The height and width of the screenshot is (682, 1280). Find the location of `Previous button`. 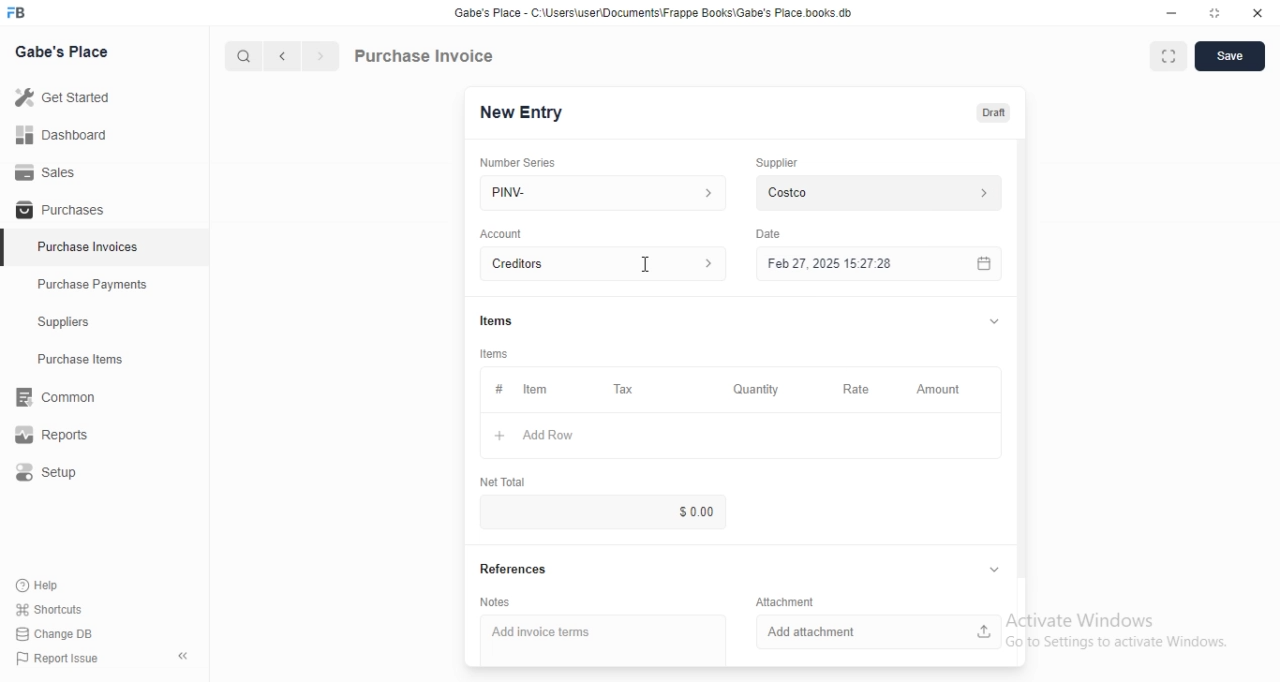

Previous button is located at coordinates (283, 56).